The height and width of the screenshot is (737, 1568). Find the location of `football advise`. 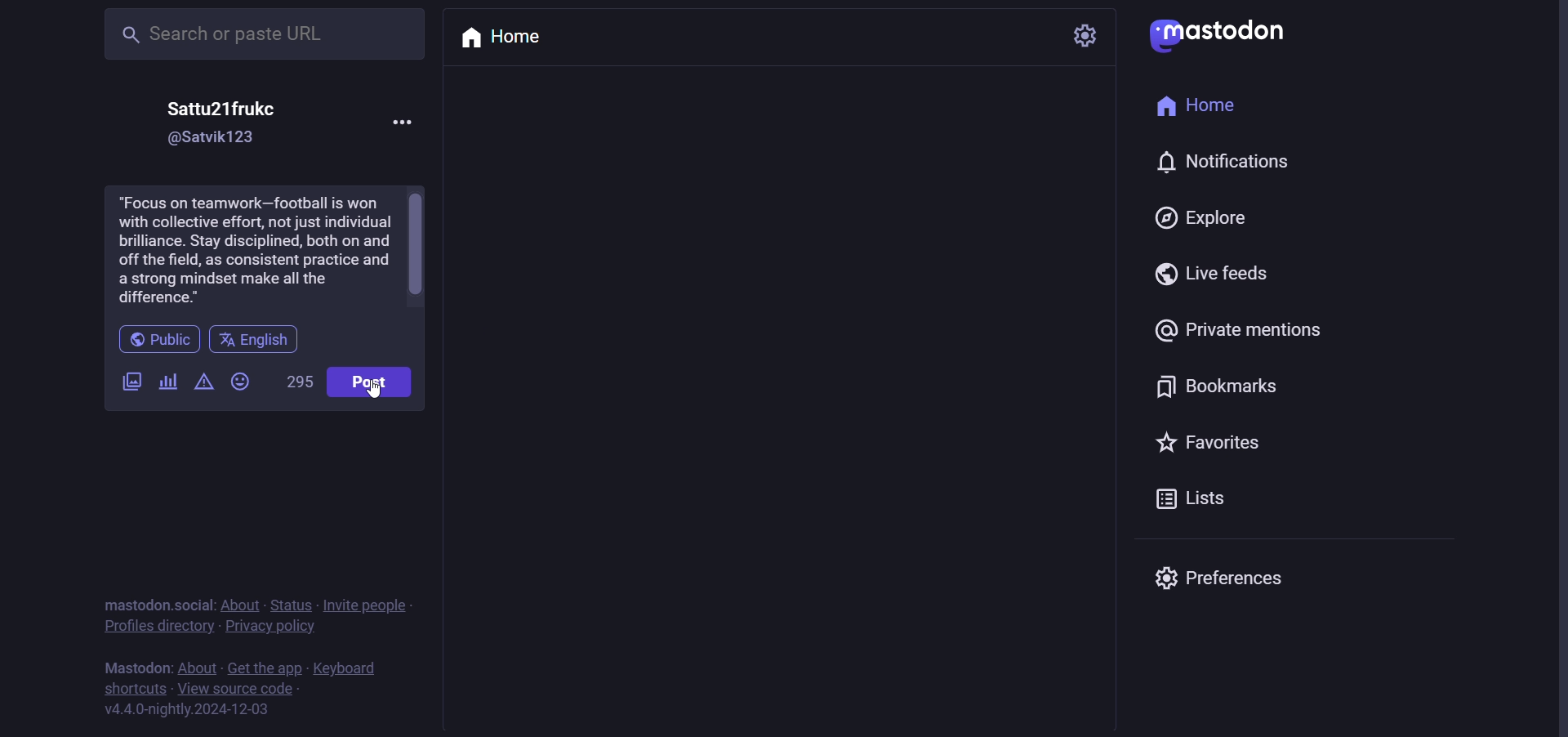

football advise is located at coordinates (257, 245).